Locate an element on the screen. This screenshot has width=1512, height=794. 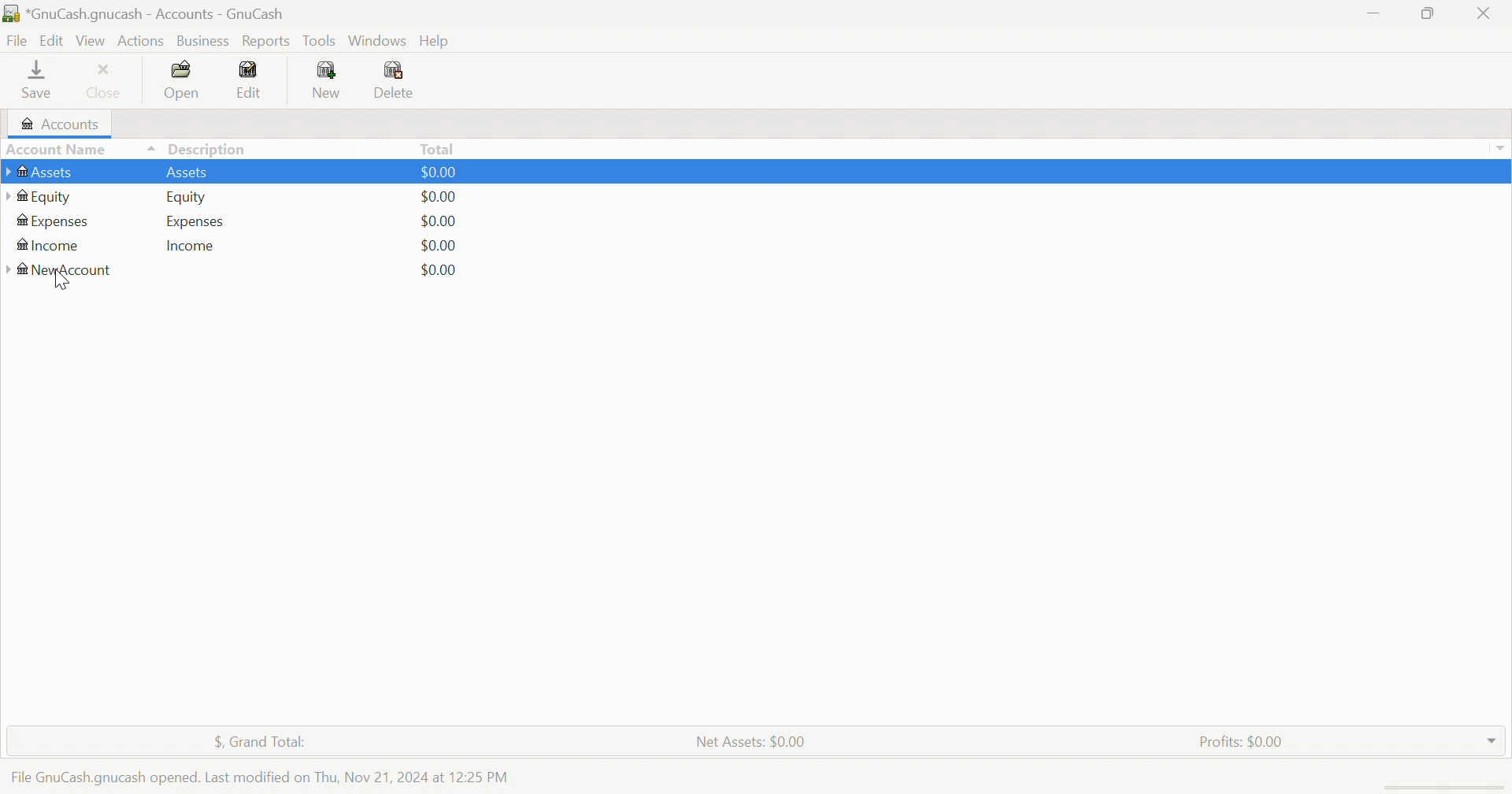
Account Name is located at coordinates (80, 150).